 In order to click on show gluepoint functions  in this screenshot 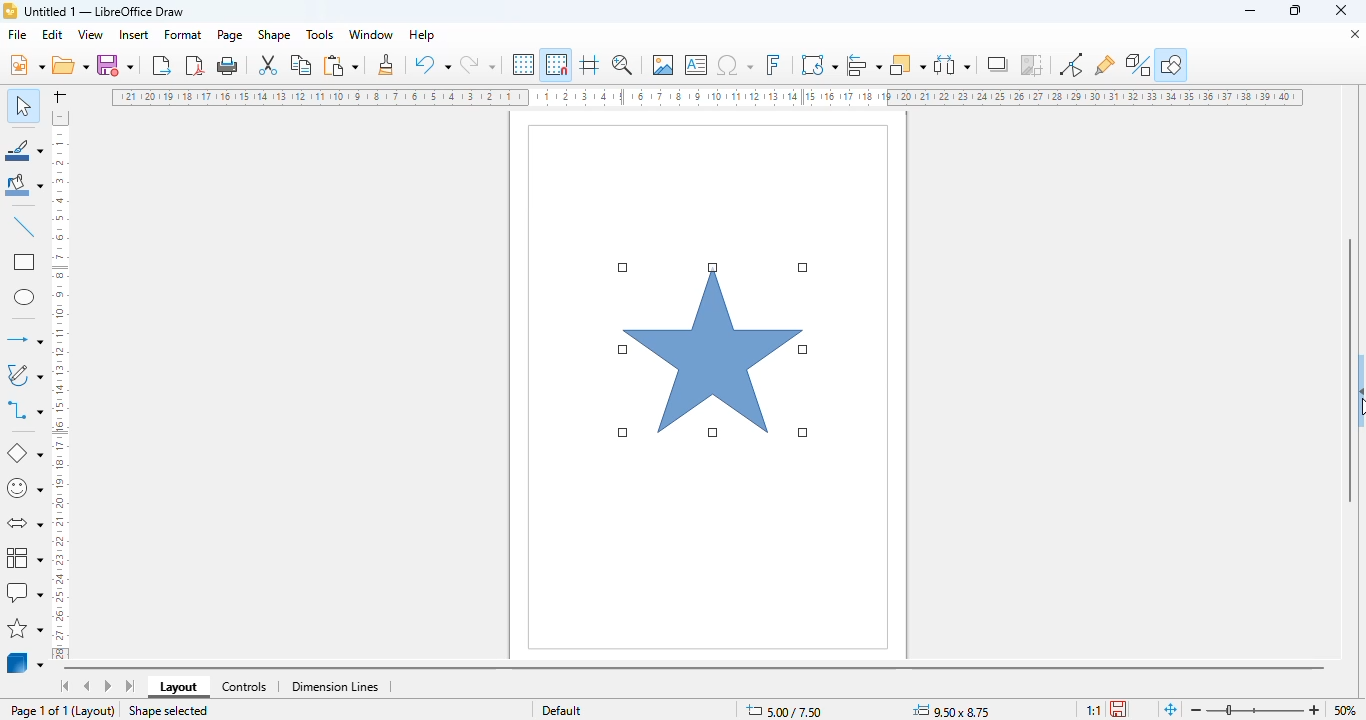, I will do `click(1105, 65)`.